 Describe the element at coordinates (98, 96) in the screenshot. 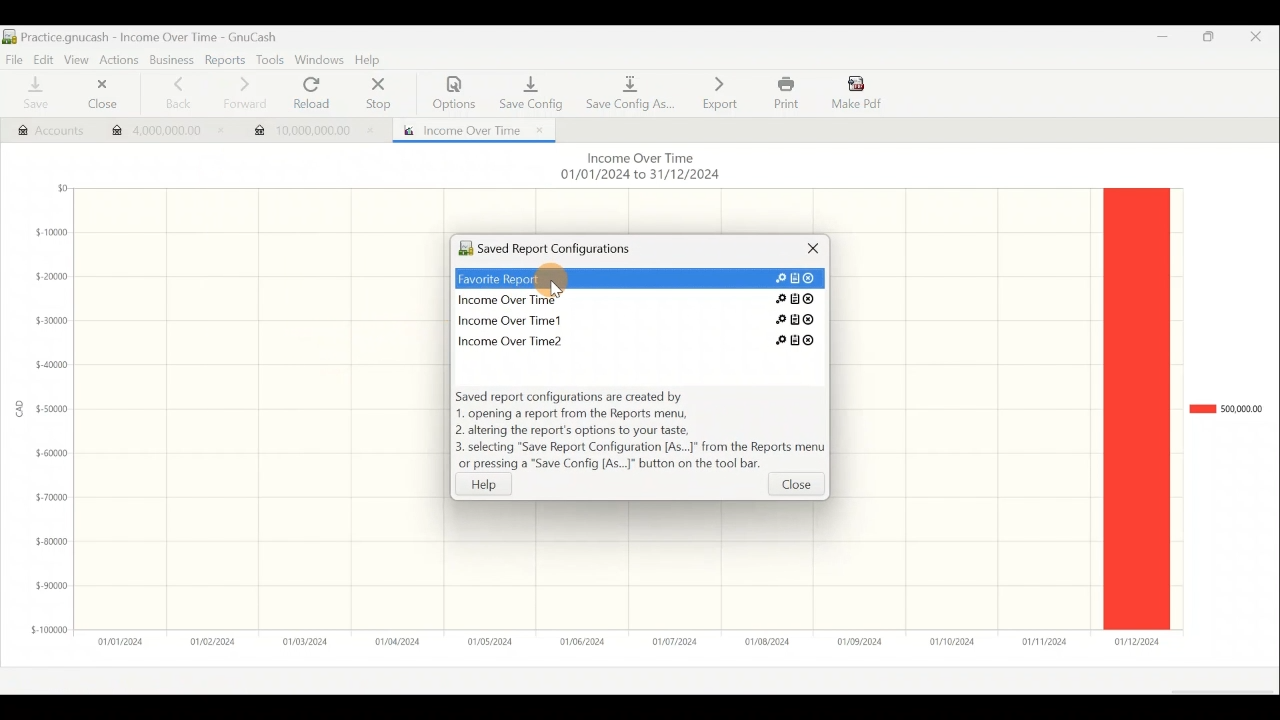

I see `Close` at that location.